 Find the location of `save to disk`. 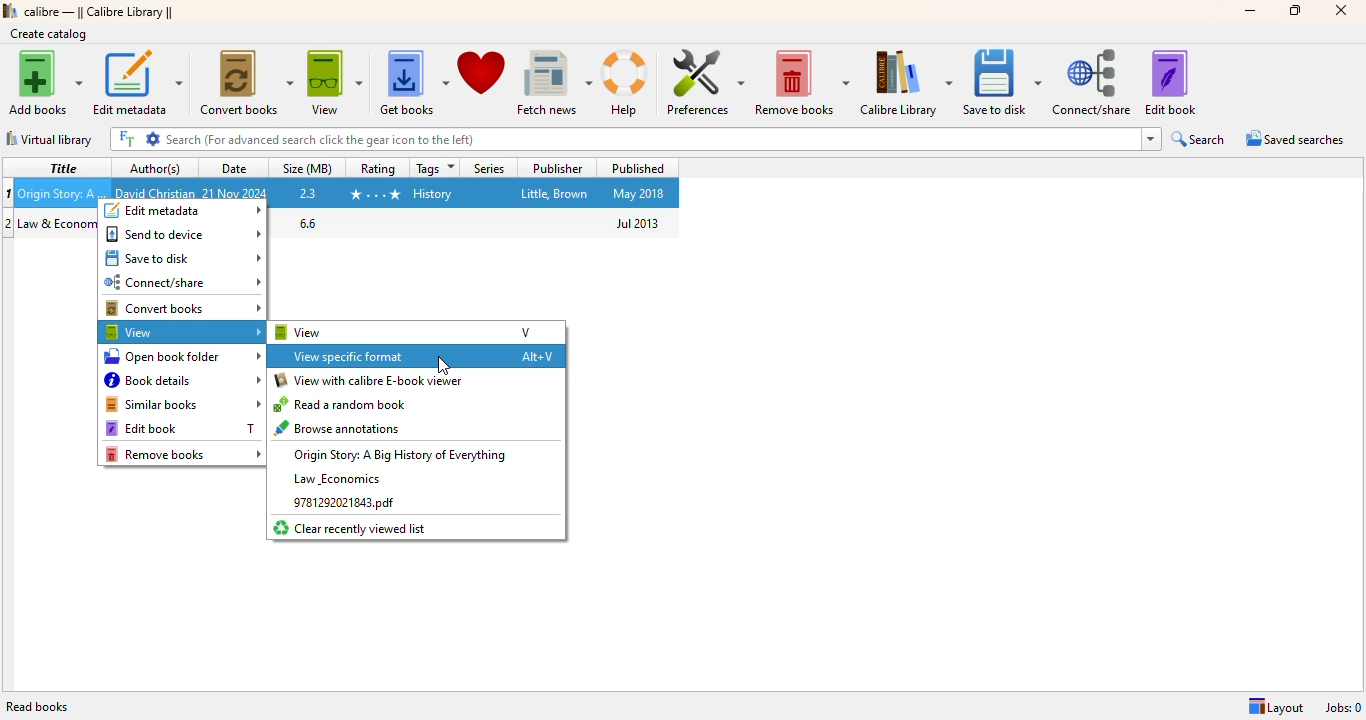

save to disk is located at coordinates (184, 258).